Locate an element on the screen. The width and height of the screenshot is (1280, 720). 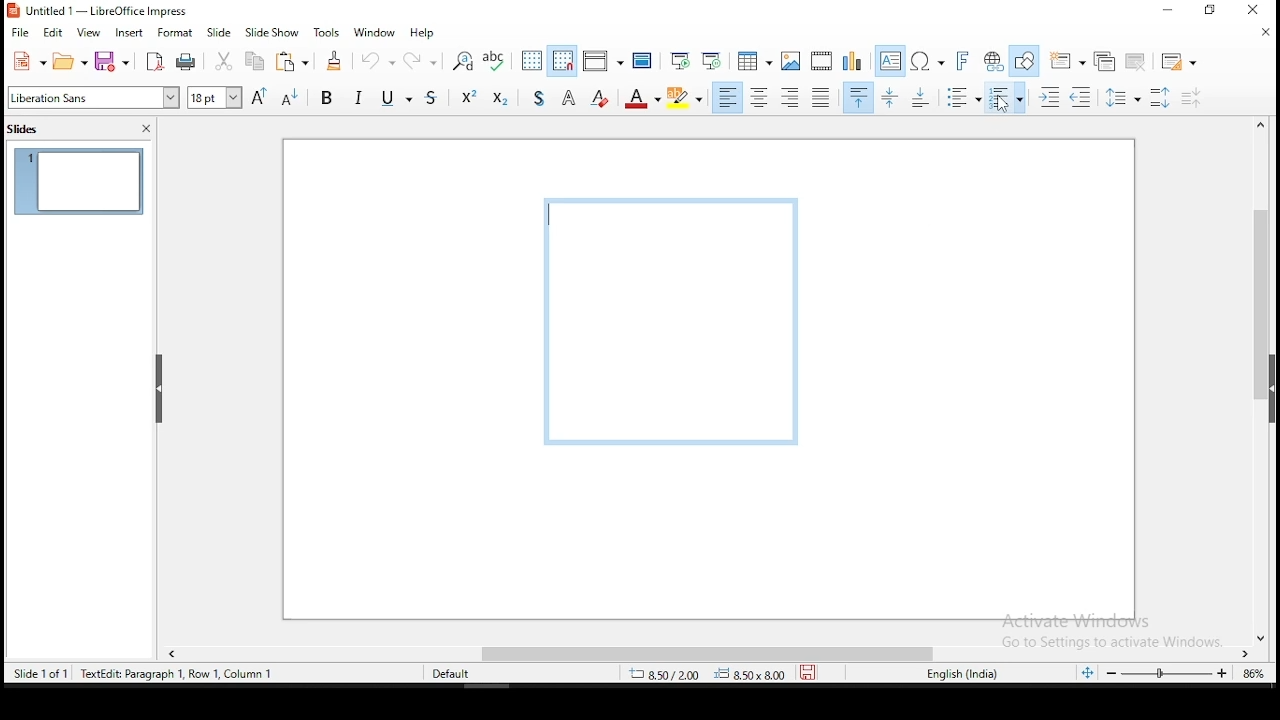
text box is located at coordinates (888, 61).